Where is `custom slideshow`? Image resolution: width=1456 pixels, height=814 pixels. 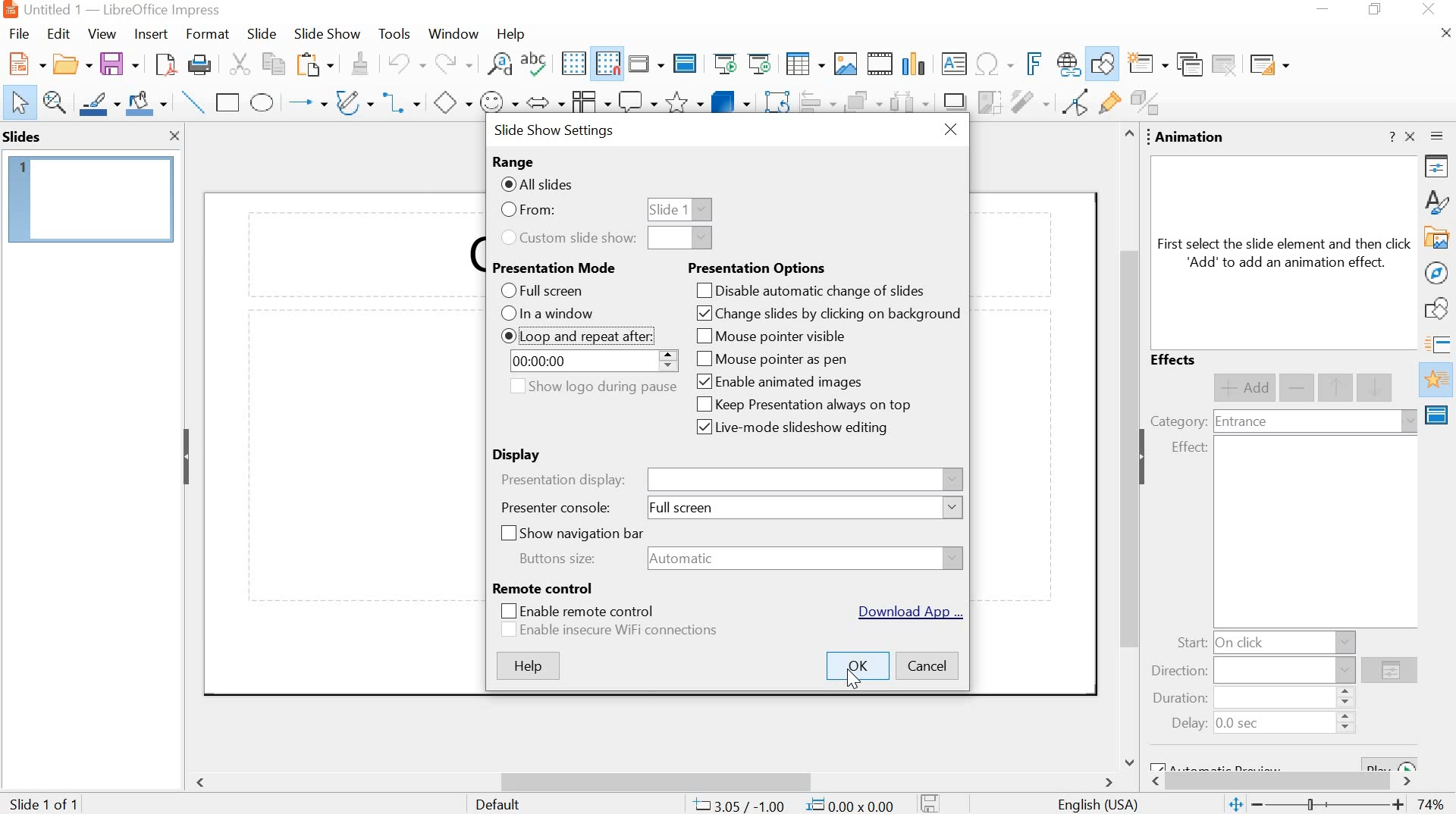 custom slideshow is located at coordinates (570, 239).